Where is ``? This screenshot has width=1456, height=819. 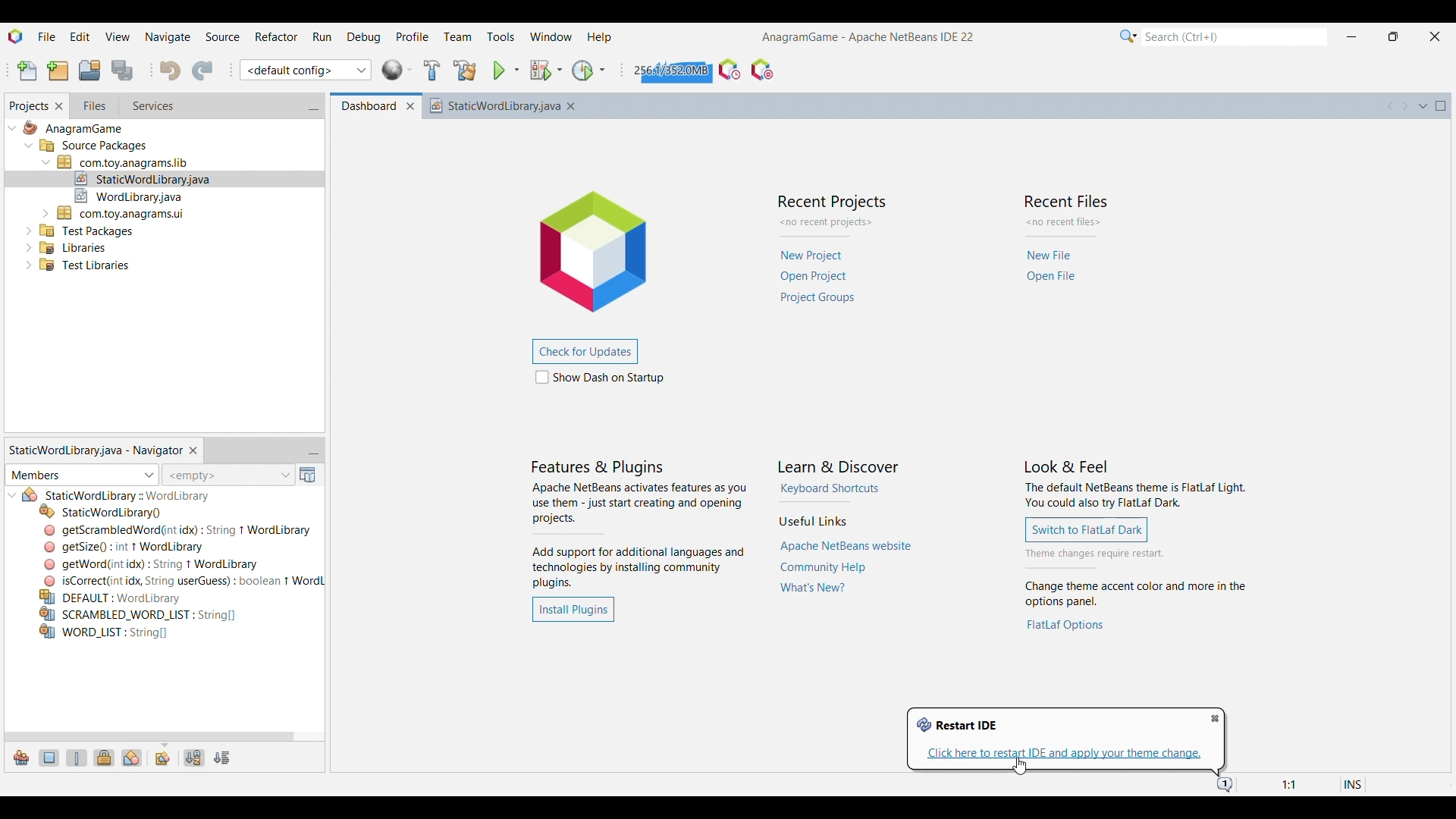  is located at coordinates (81, 268).